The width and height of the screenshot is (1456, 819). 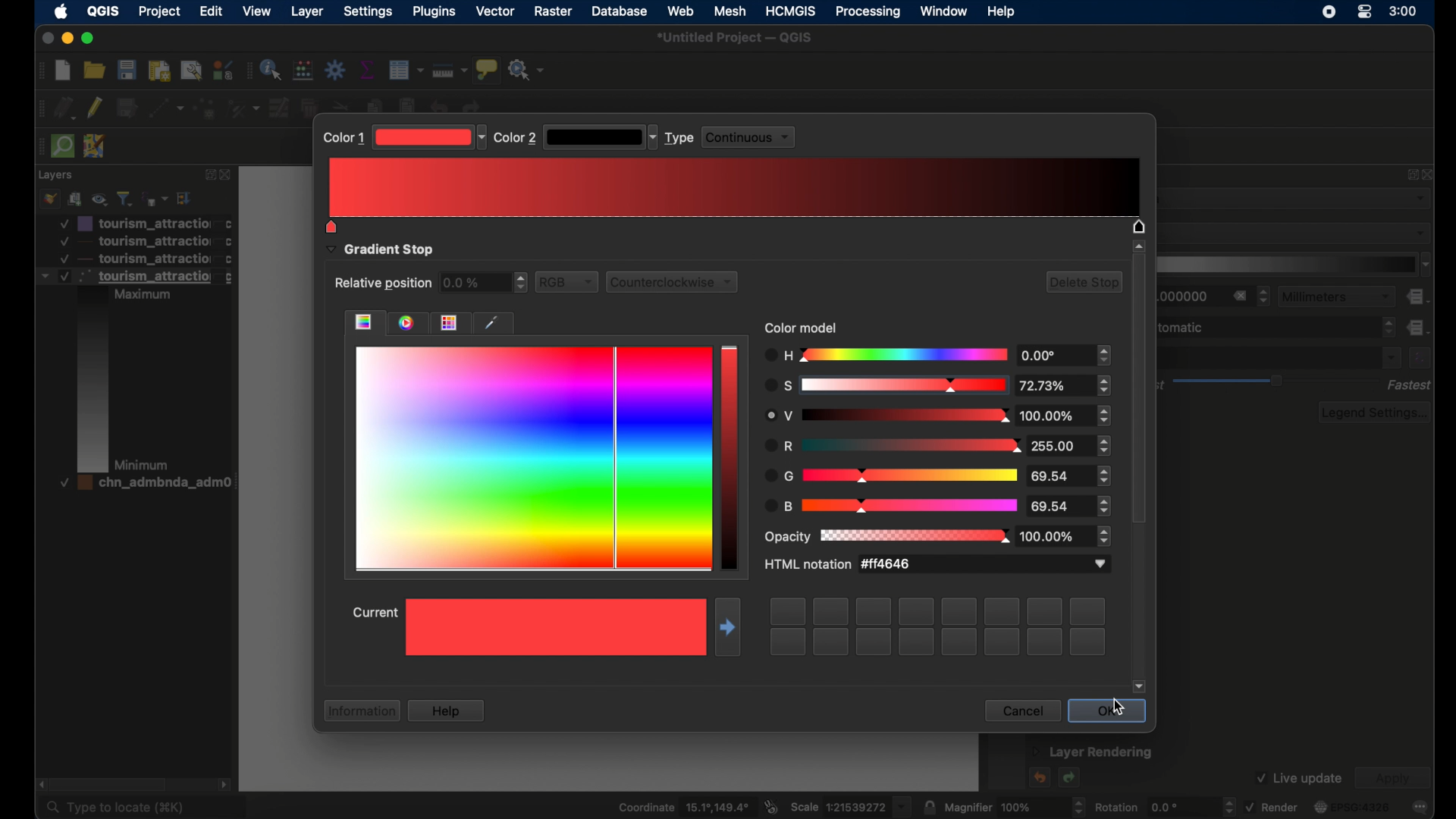 I want to click on save project, so click(x=128, y=70).